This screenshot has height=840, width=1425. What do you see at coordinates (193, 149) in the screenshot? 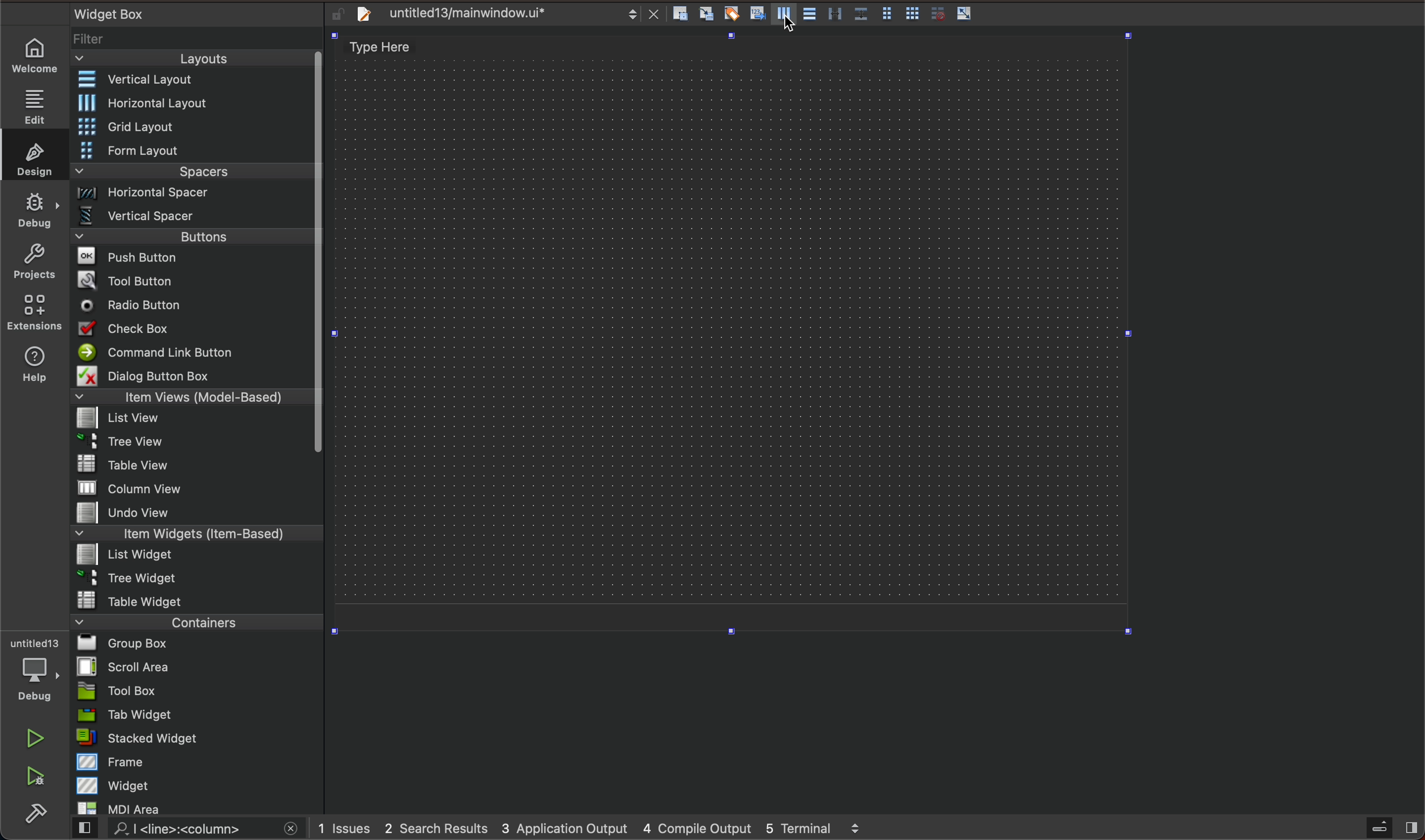
I see `form layout` at bounding box center [193, 149].